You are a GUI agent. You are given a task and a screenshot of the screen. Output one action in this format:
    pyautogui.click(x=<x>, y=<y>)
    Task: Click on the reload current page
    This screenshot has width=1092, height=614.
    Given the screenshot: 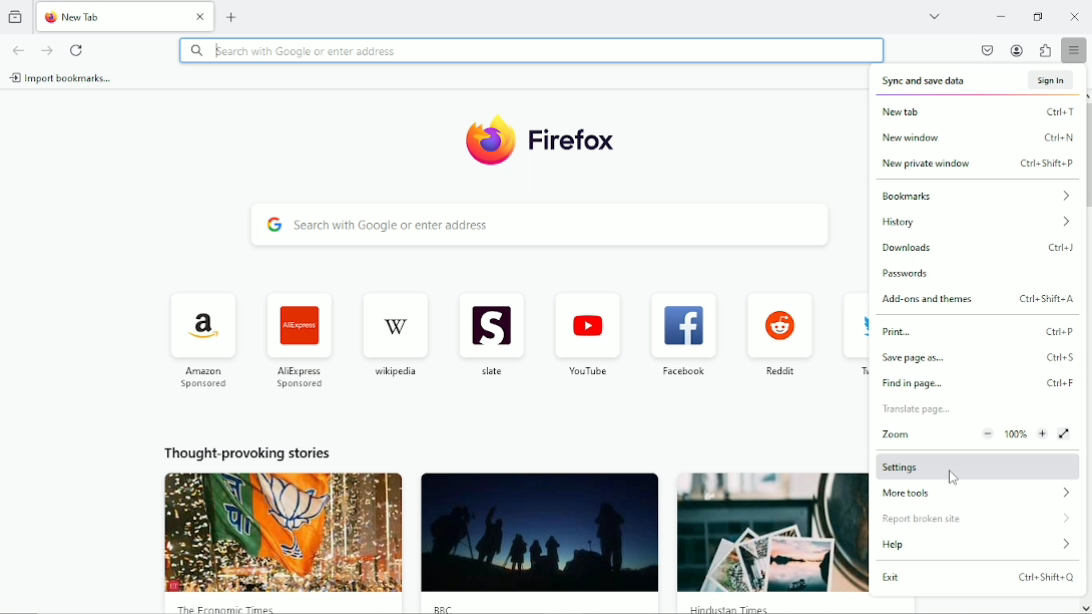 What is the action you would take?
    pyautogui.click(x=77, y=49)
    